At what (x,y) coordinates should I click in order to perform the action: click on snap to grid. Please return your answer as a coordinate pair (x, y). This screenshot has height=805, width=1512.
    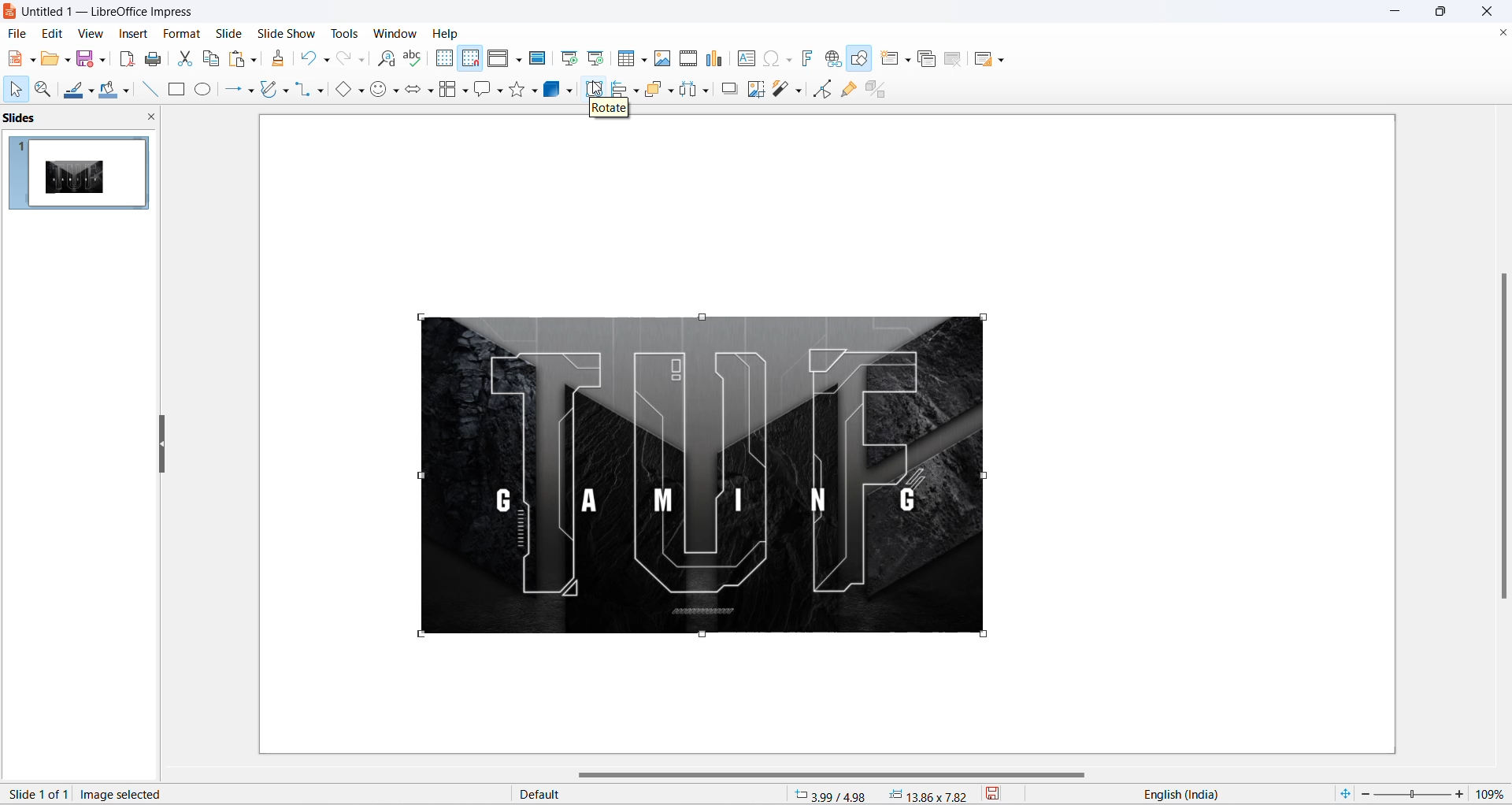
    Looking at the image, I should click on (470, 60).